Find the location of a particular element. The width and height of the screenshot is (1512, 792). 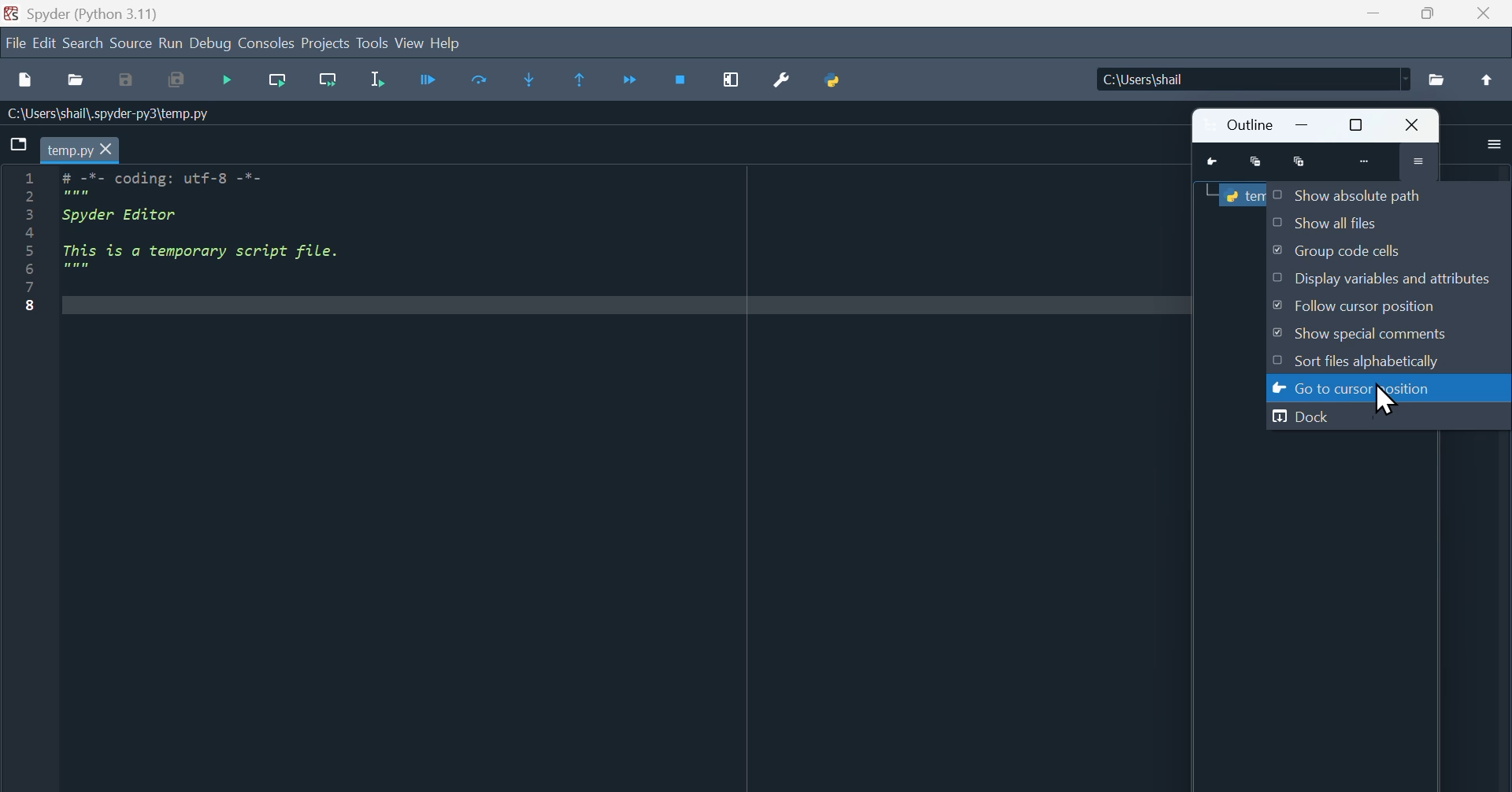

Run selection is located at coordinates (376, 79).